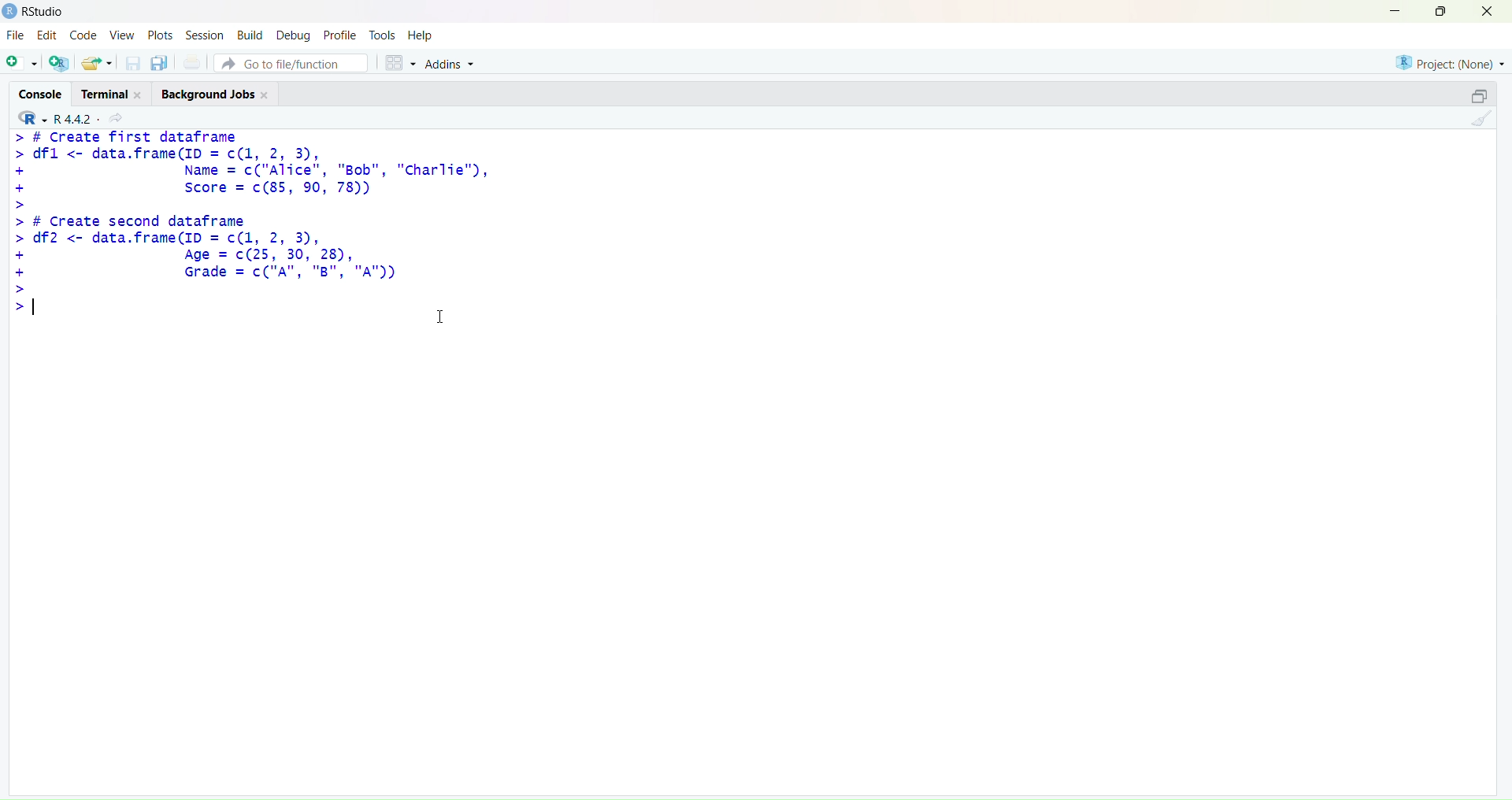 This screenshot has height=800, width=1512. I want to click on Plots, so click(159, 35).